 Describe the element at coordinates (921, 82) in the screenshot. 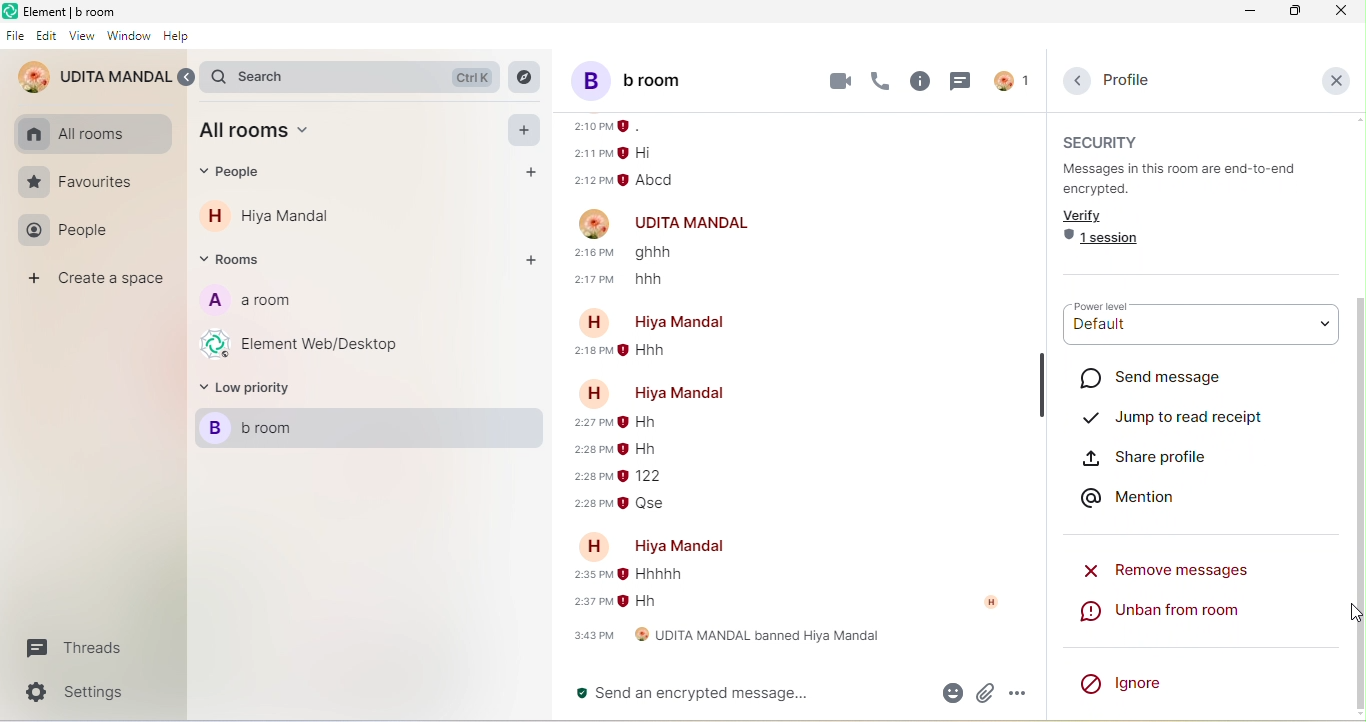

I see `room info` at that location.